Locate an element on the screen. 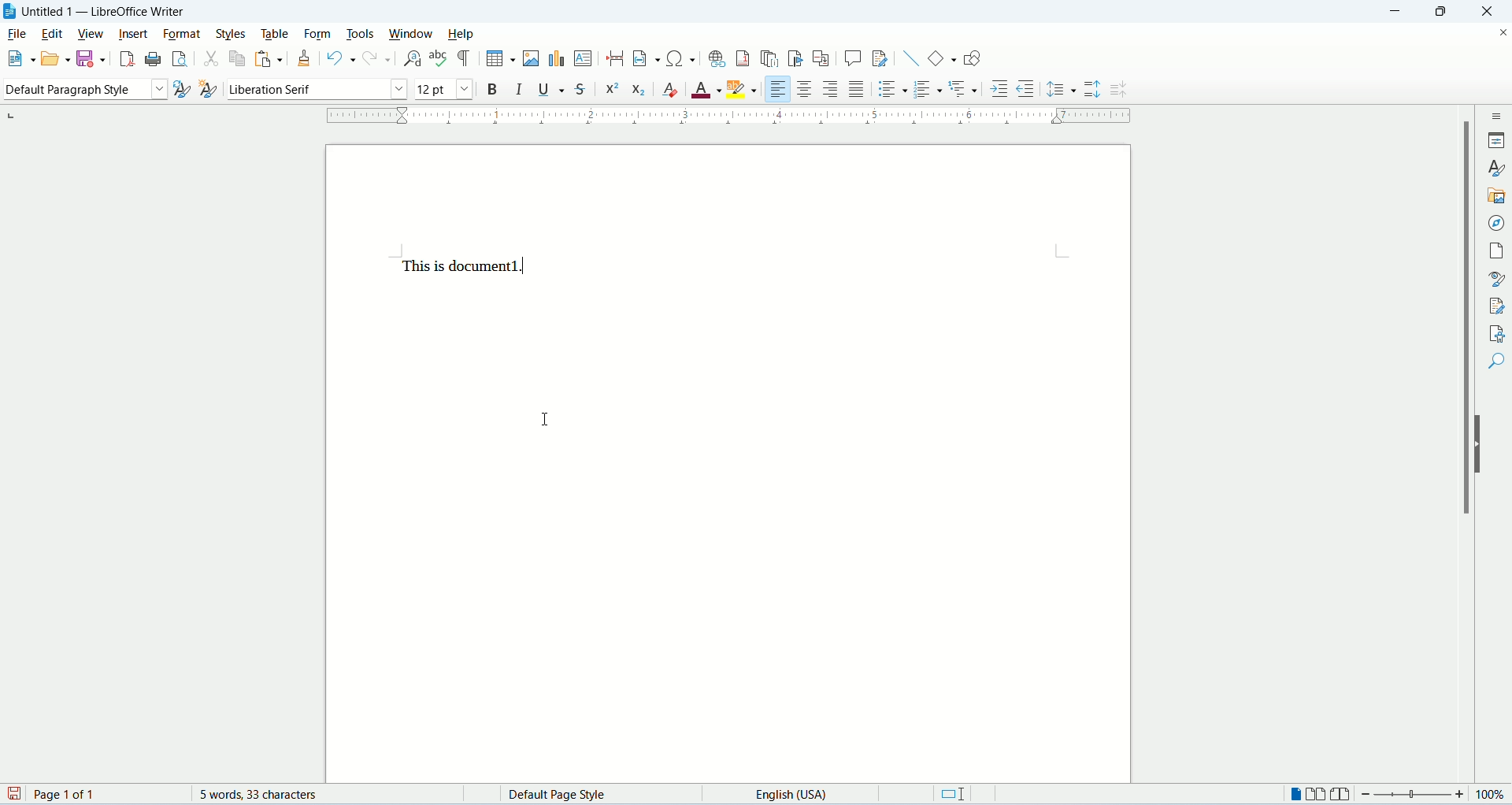  insert hyperlink is located at coordinates (715, 58).